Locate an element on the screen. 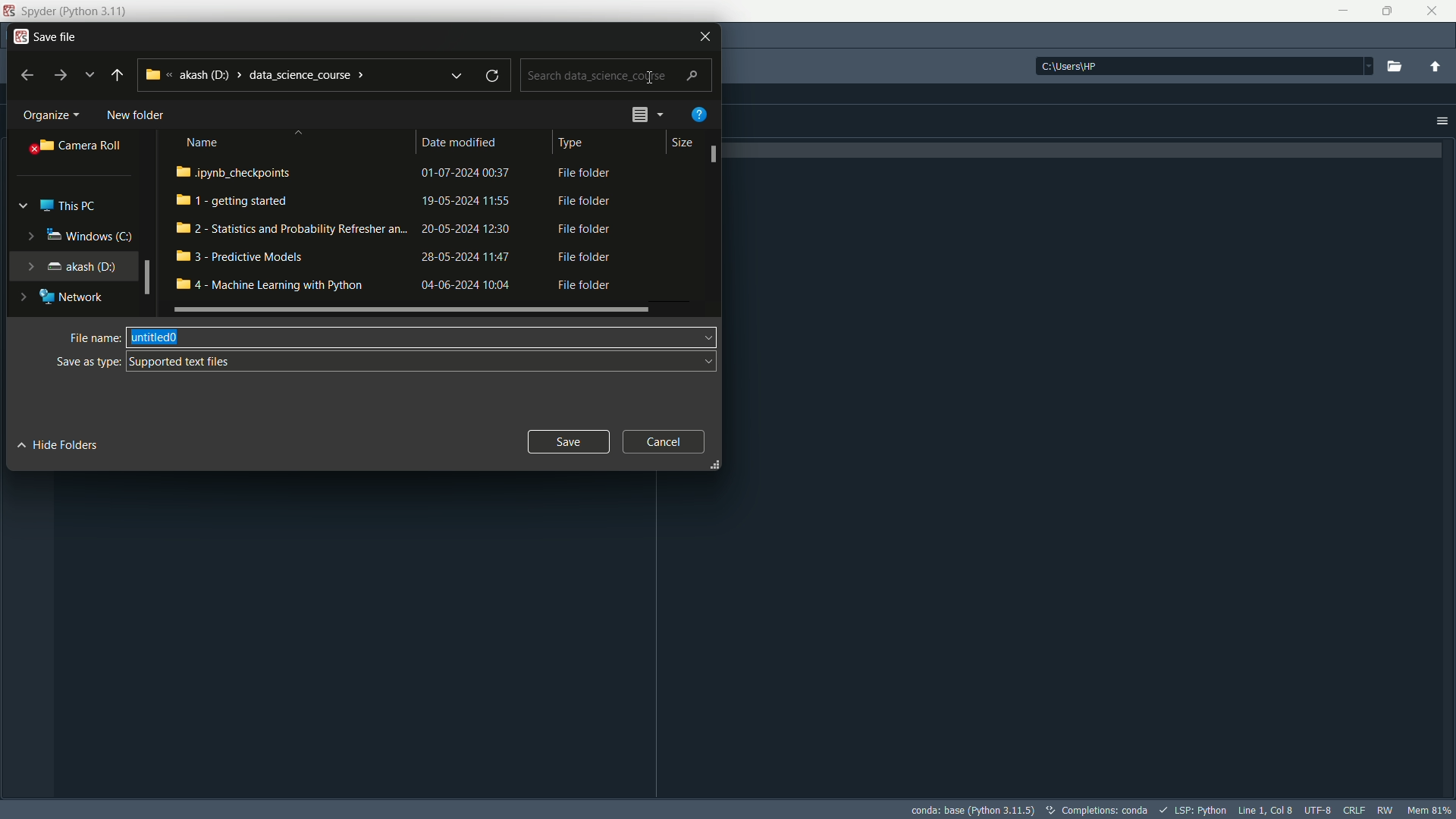 The image size is (1456, 819). get help is located at coordinates (701, 115).